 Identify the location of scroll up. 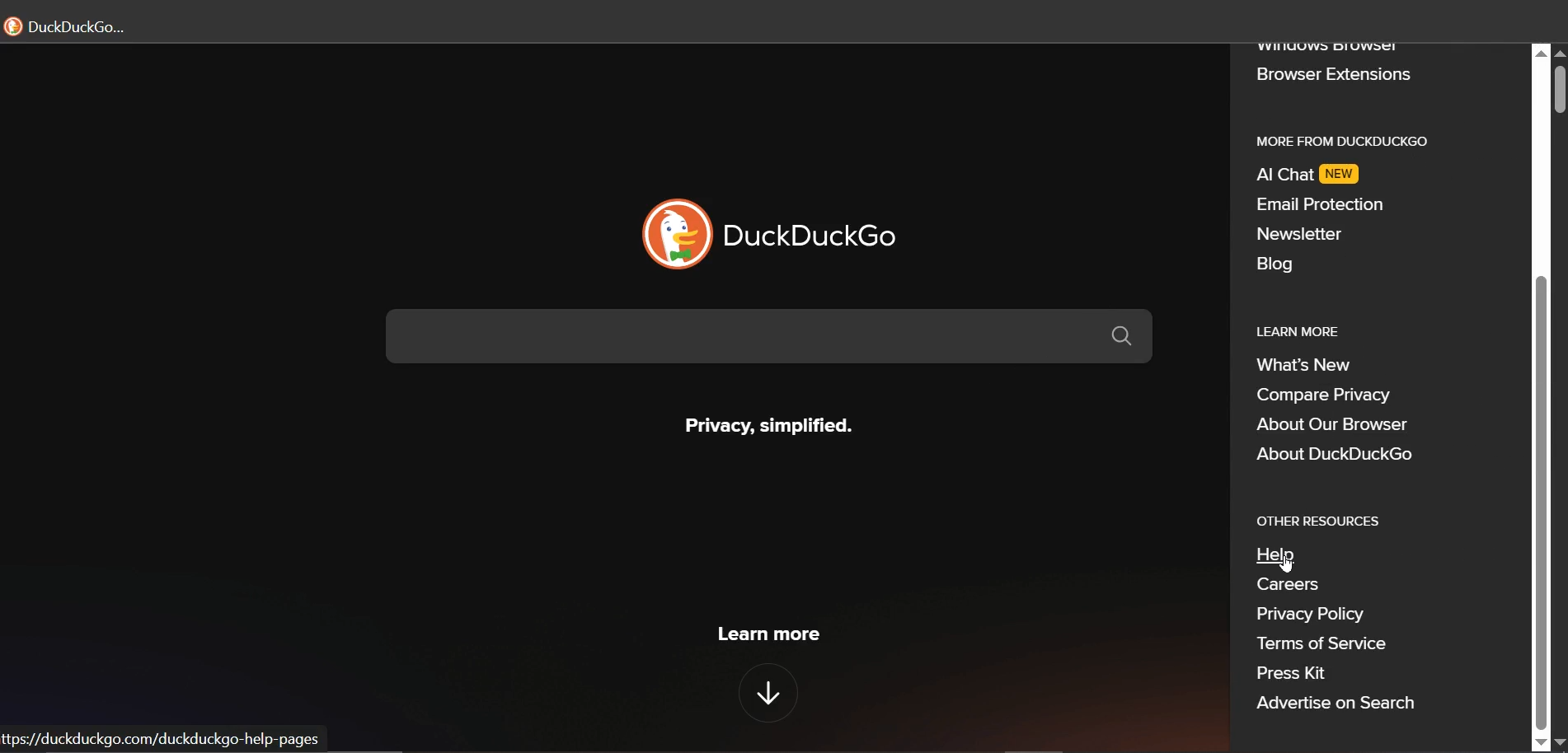
(1542, 52).